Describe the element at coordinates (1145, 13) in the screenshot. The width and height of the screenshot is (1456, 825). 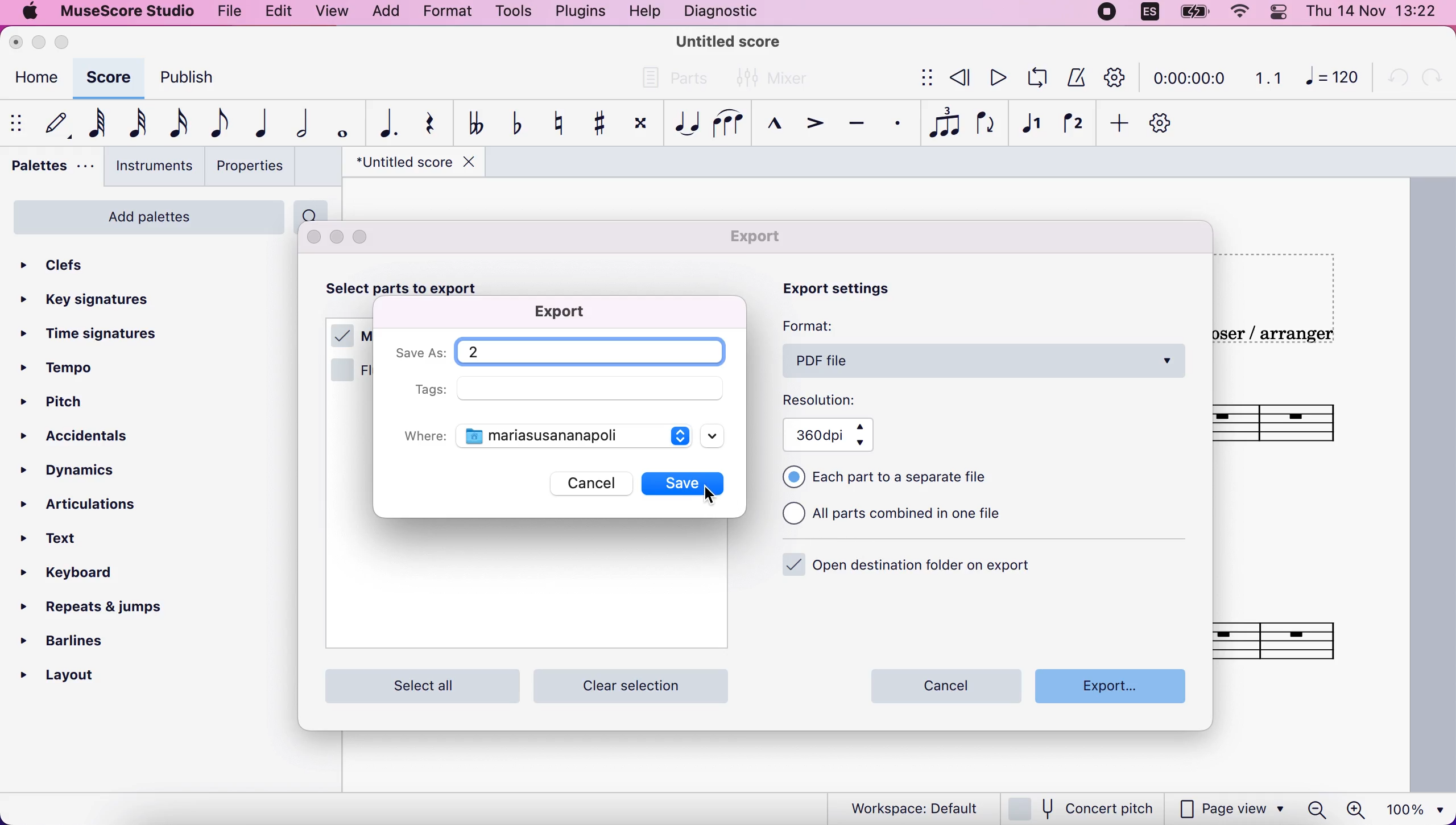
I see `language` at that location.